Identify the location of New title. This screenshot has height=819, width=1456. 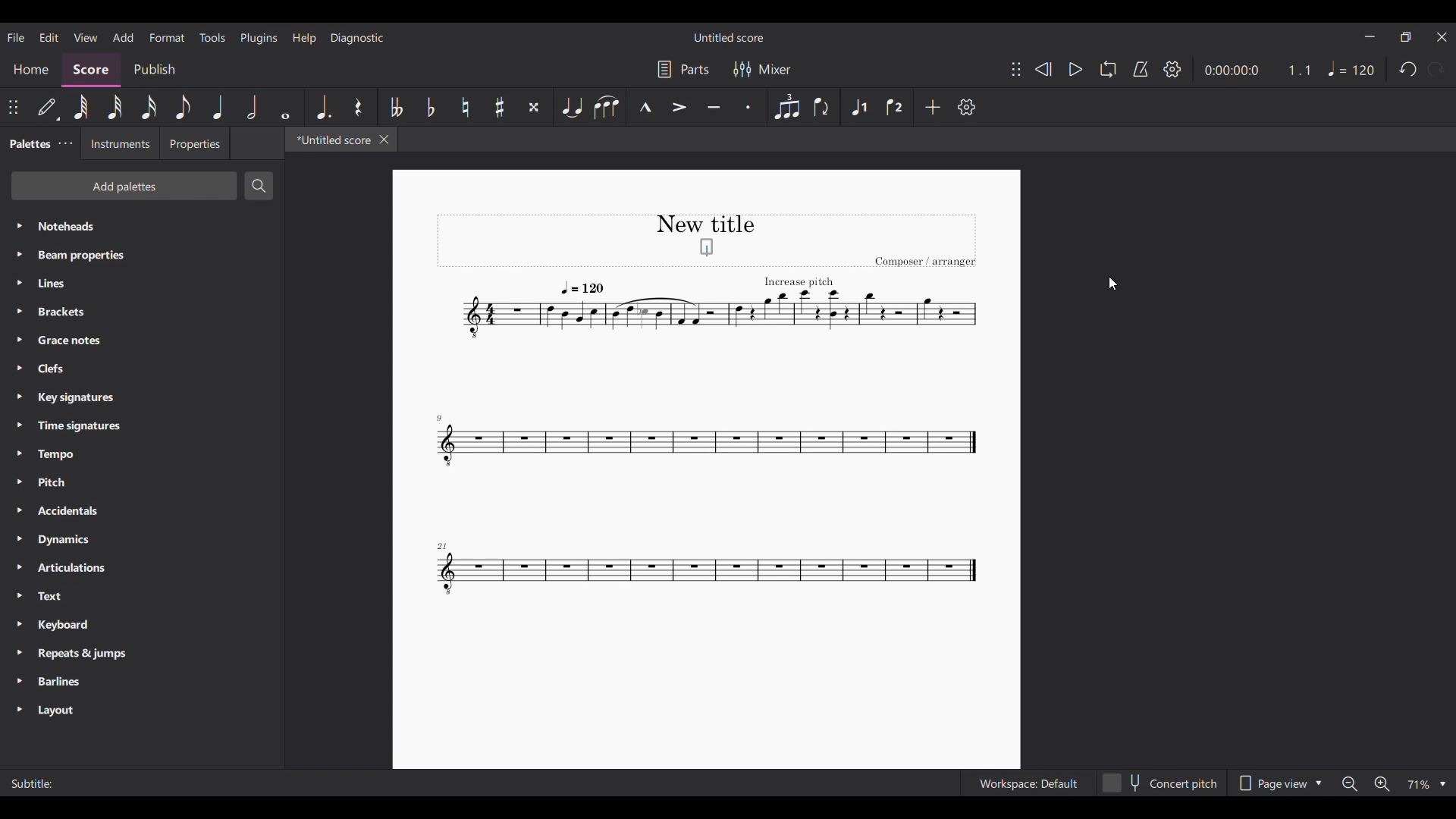
(706, 224).